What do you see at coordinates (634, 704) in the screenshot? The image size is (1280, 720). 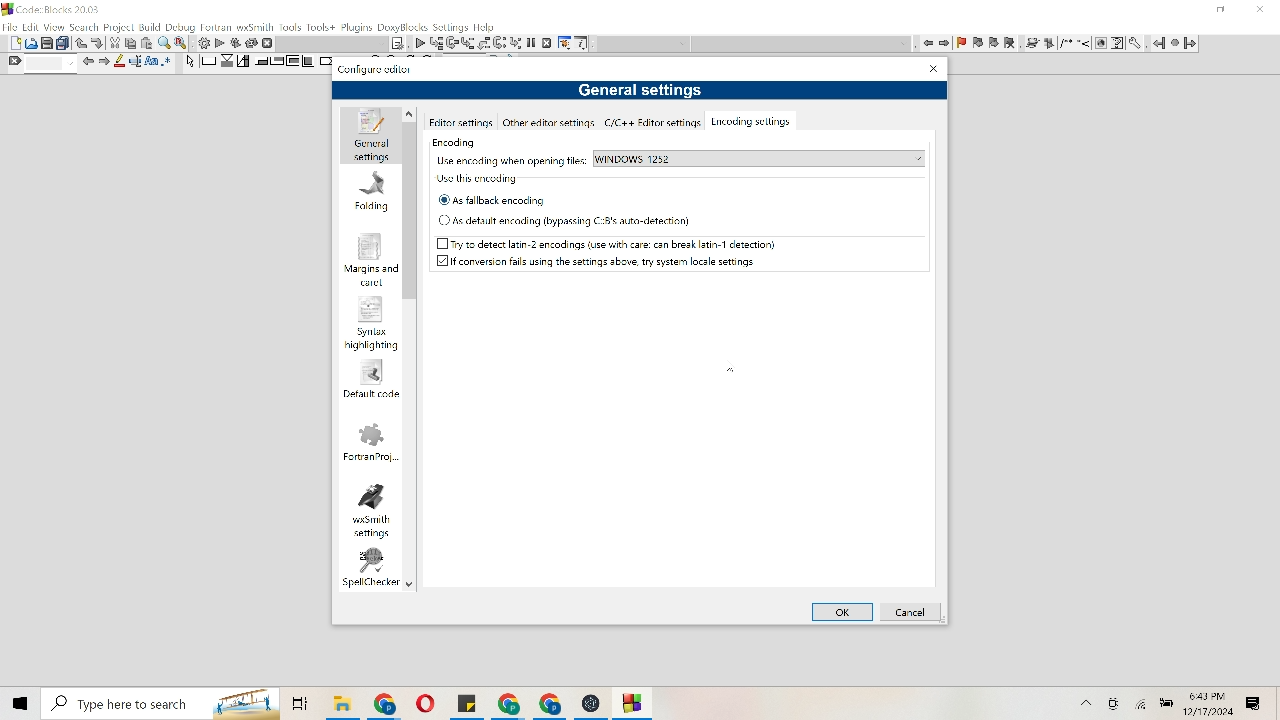 I see `File` at bounding box center [634, 704].